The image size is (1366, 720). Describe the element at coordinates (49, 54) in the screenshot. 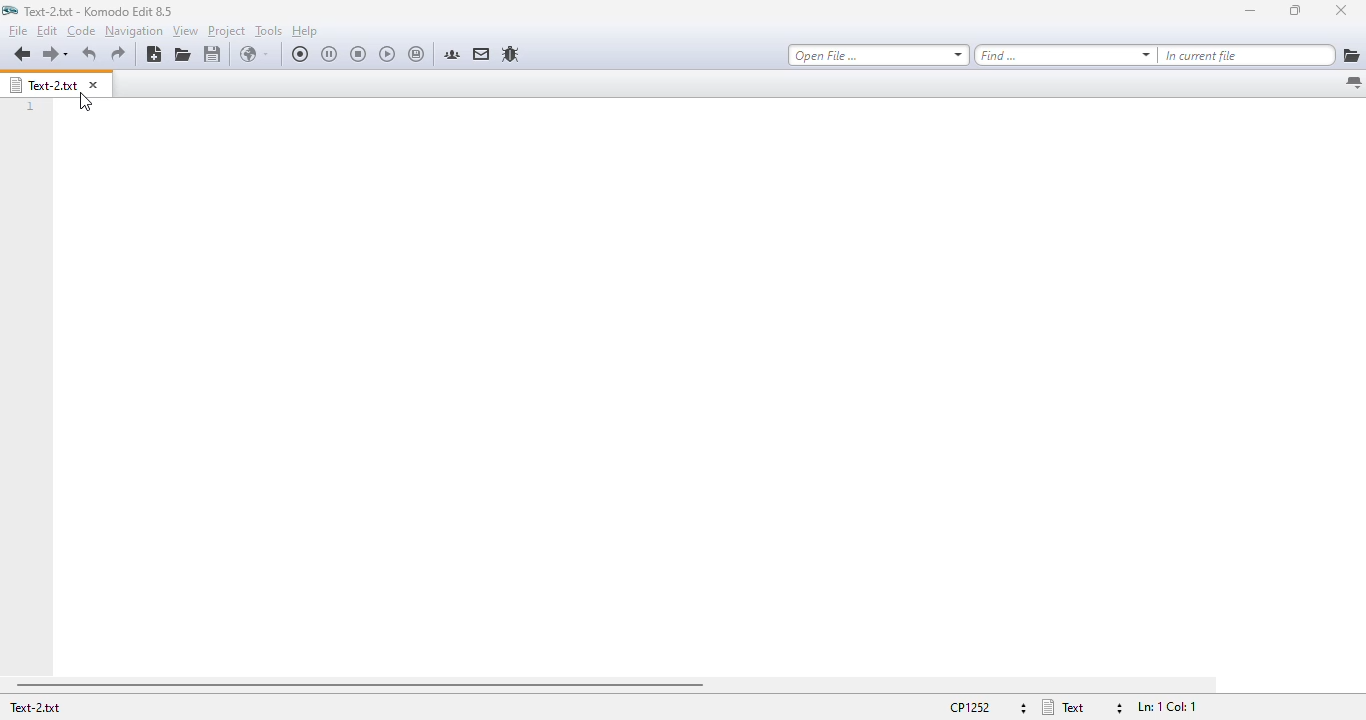

I see `go forward one location` at that location.